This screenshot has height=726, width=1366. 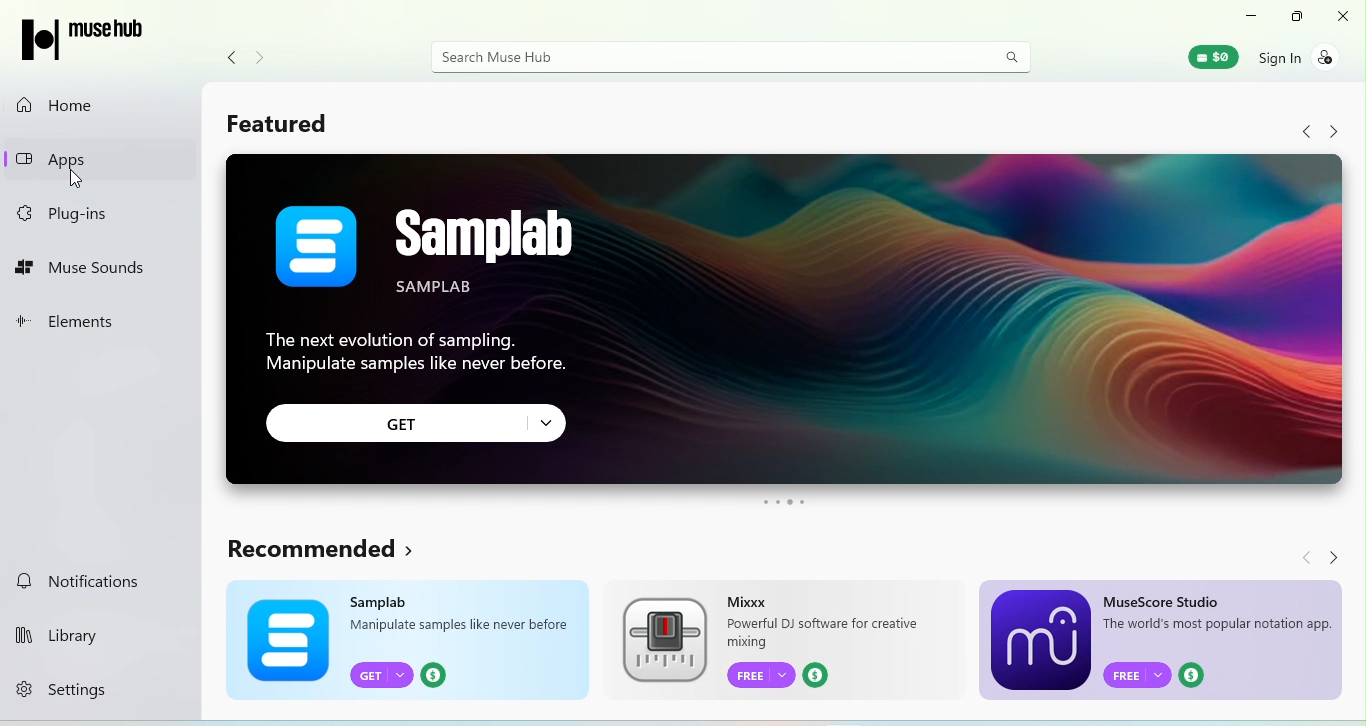 I want to click on Mixx Logo, so click(x=664, y=640).